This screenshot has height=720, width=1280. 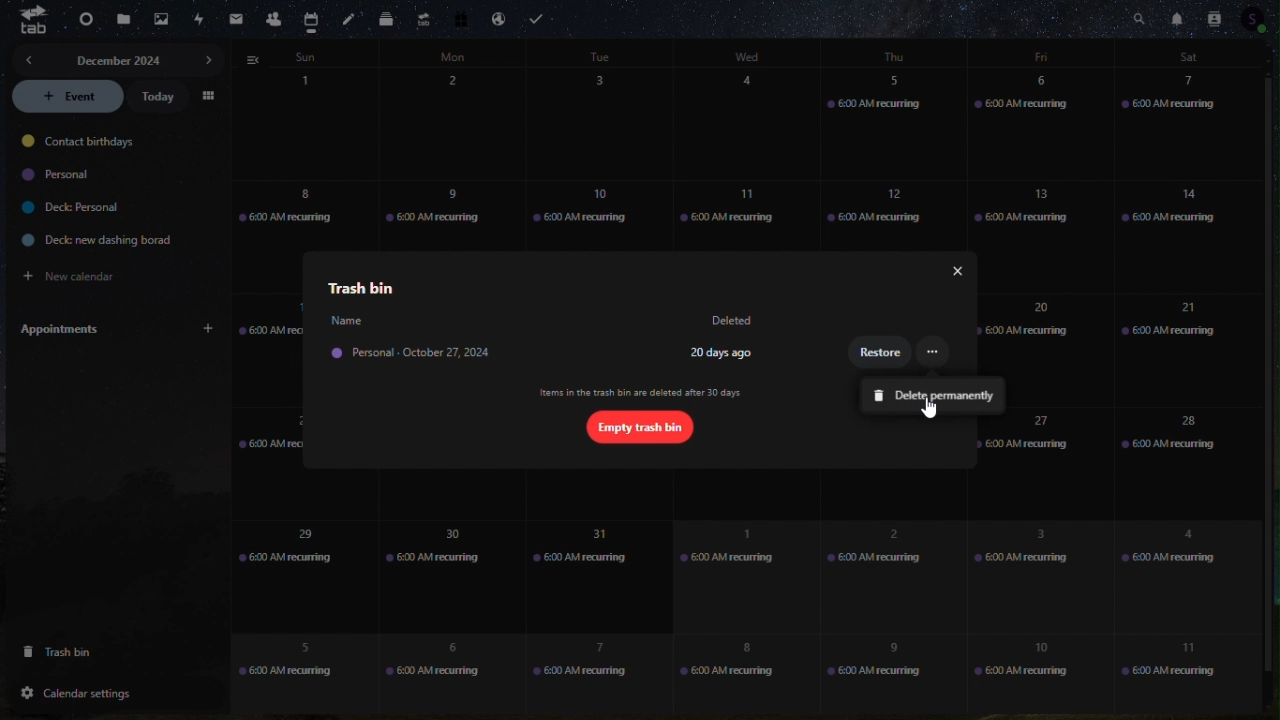 I want to click on Appointments, so click(x=115, y=329).